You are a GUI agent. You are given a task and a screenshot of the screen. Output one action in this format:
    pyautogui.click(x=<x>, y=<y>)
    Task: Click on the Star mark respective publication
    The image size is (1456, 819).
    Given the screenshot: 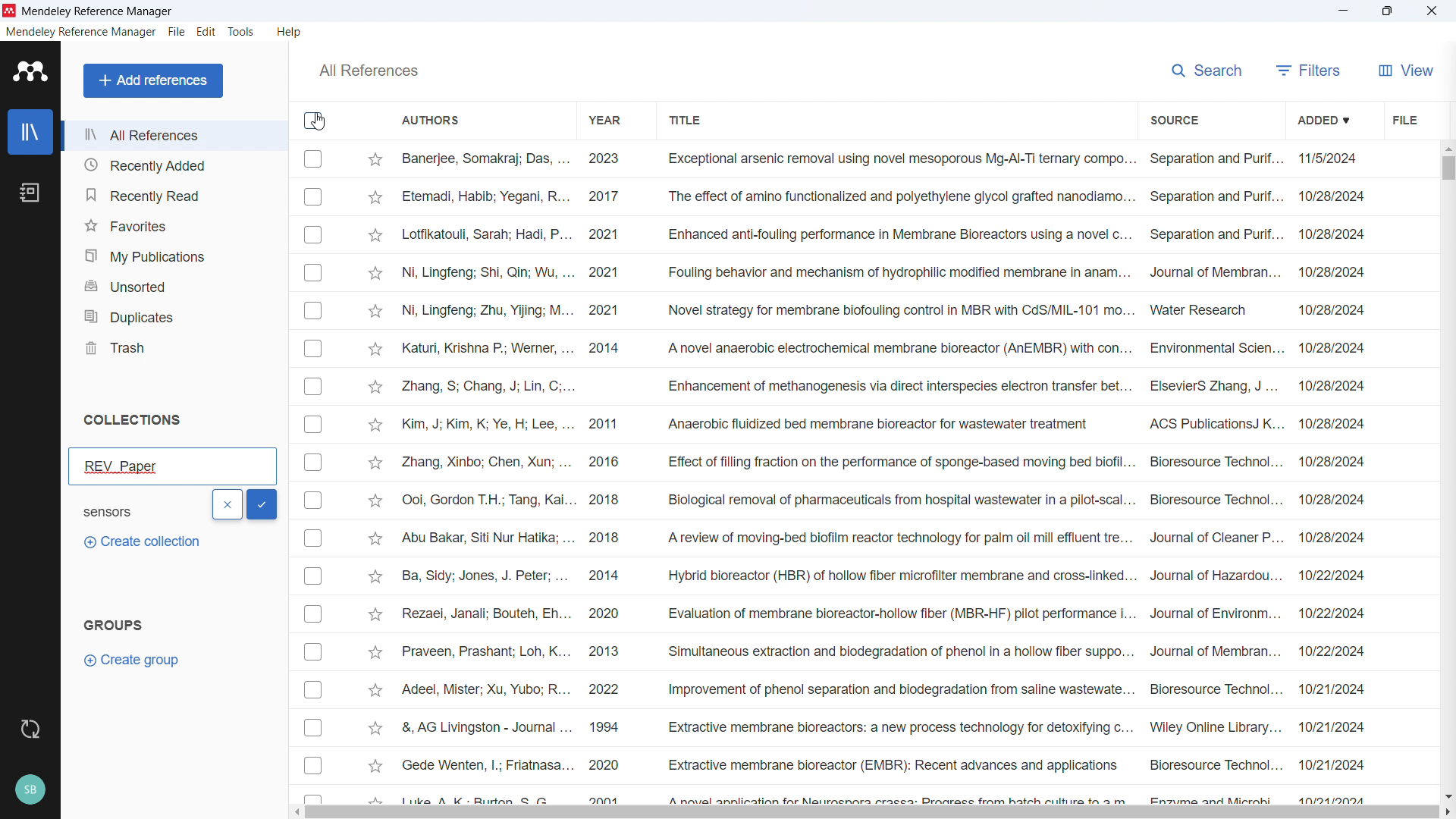 What is the action you would take?
    pyautogui.click(x=375, y=500)
    